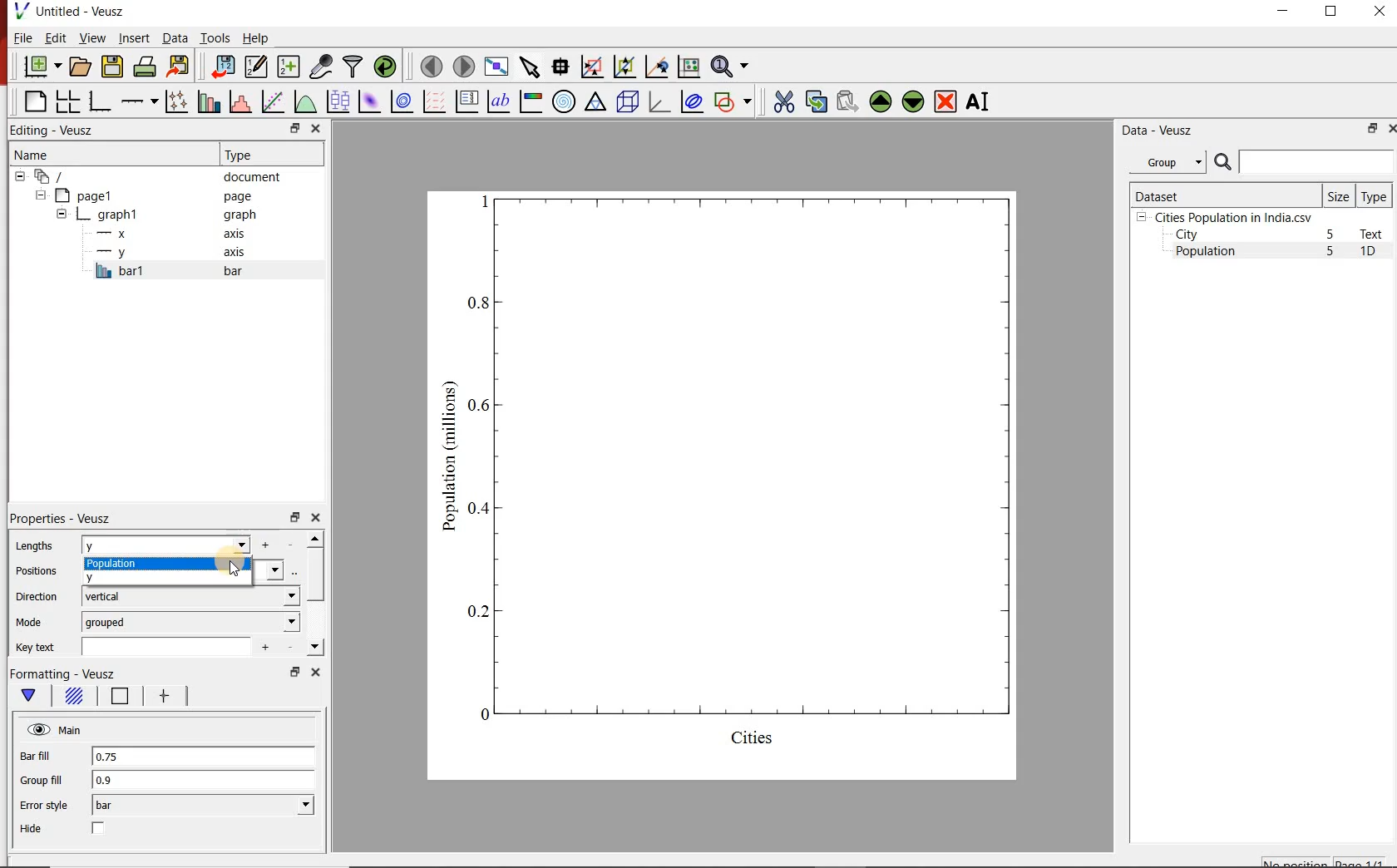 This screenshot has height=868, width=1397. I want to click on add a shape to the plot, so click(733, 101).